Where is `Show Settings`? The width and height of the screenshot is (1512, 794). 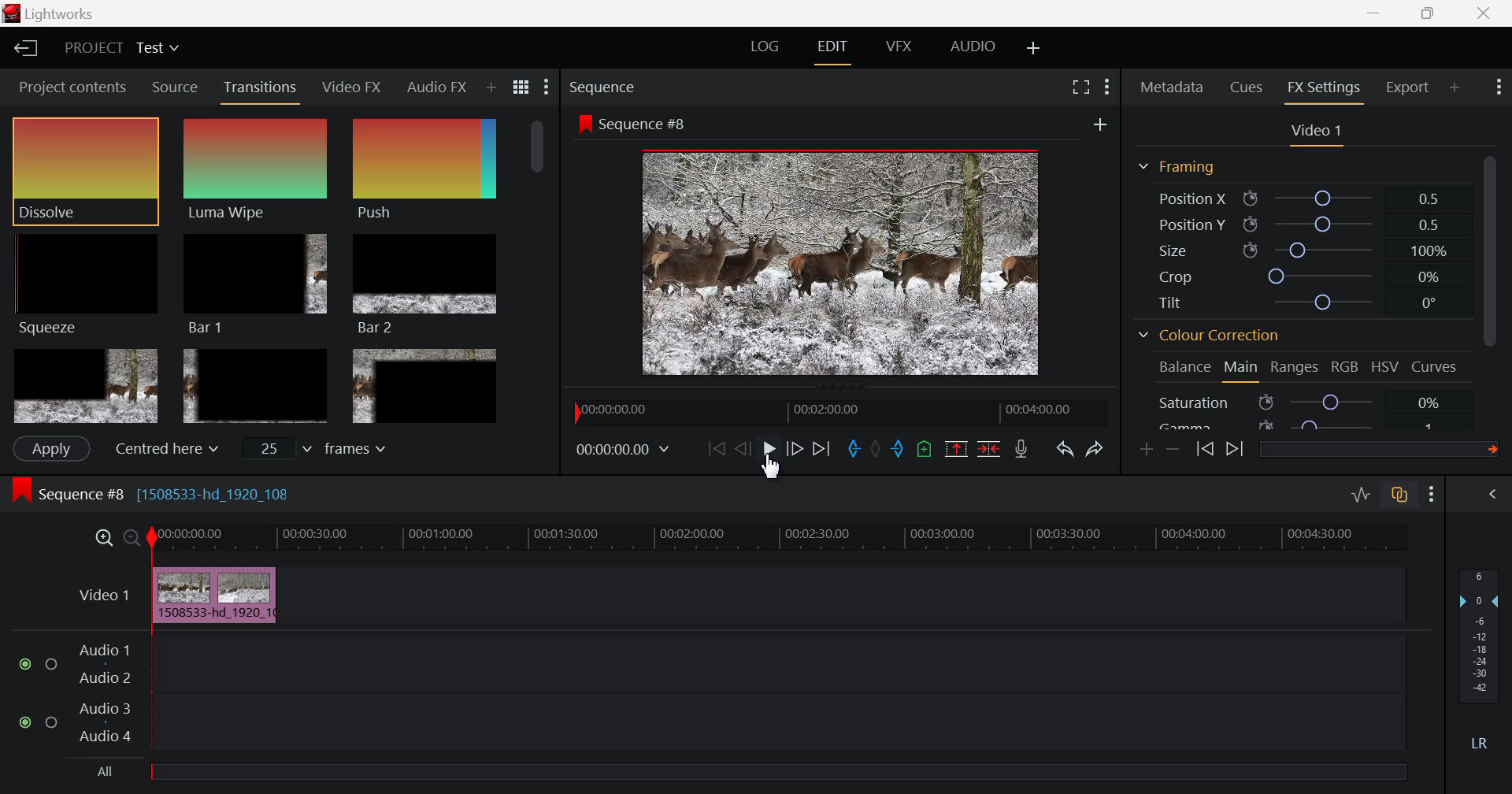
Show Settings is located at coordinates (1497, 87).